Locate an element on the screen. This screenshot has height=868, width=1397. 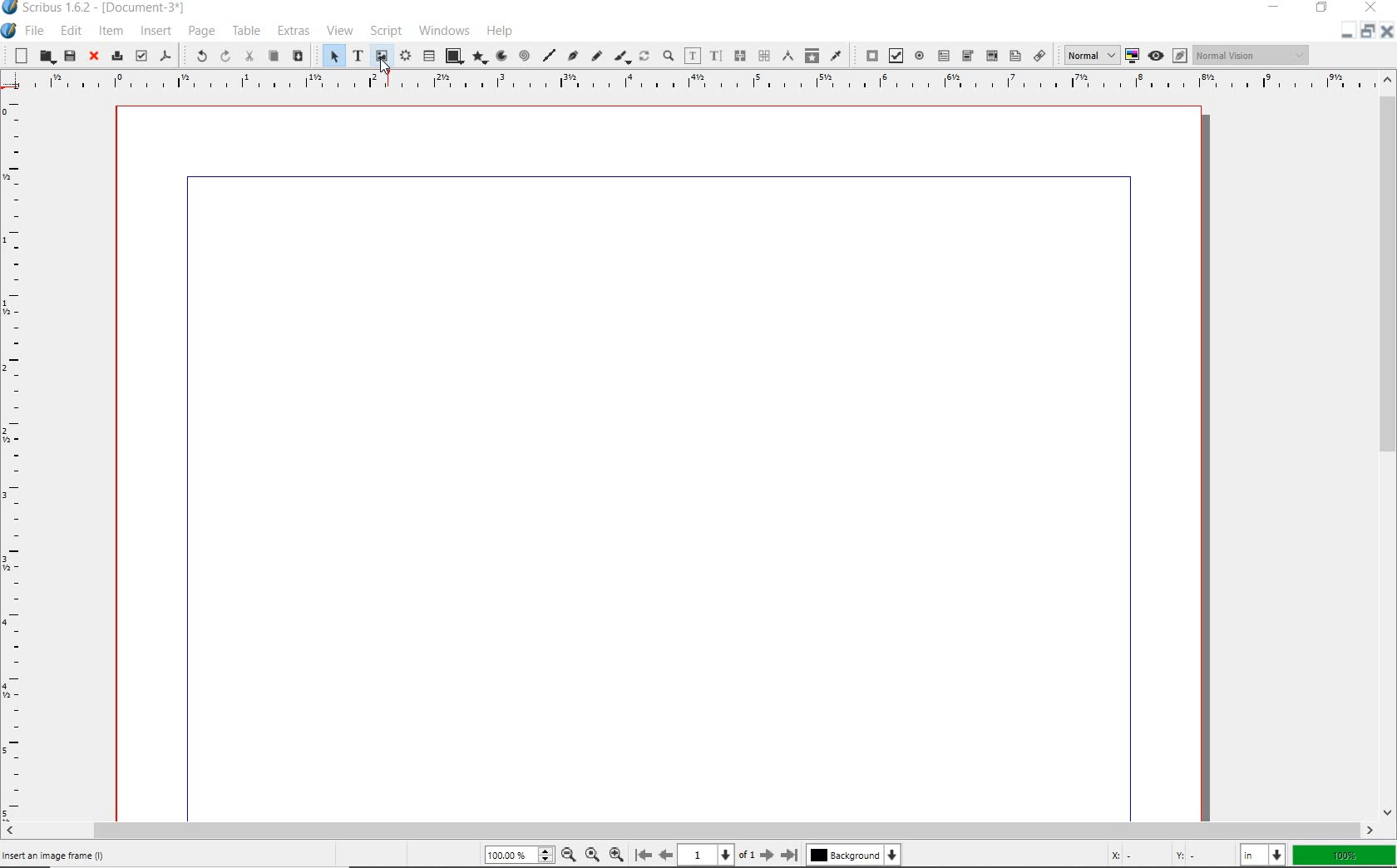
zoom level is located at coordinates (518, 857).